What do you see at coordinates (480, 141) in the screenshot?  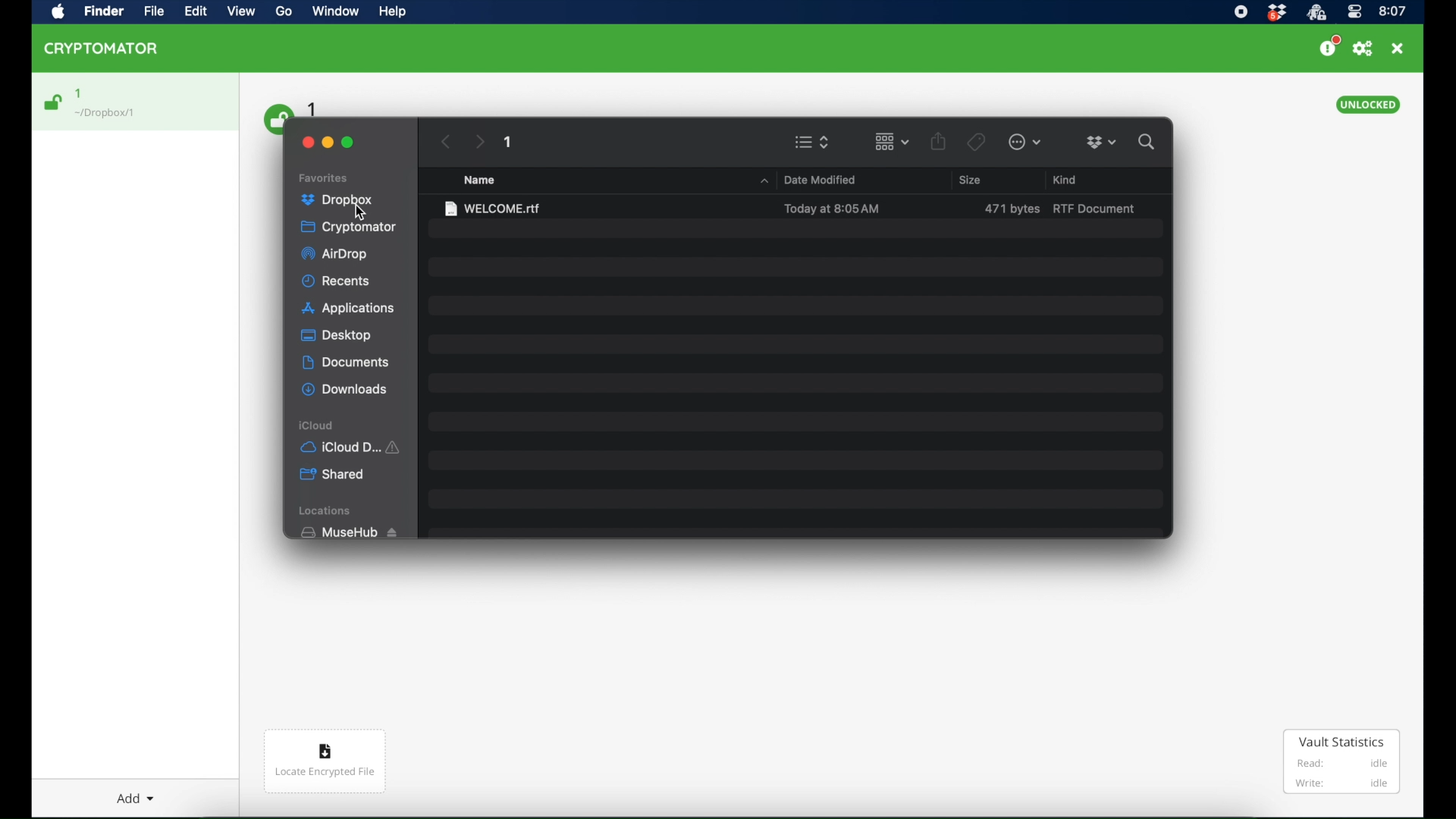 I see `next` at bounding box center [480, 141].